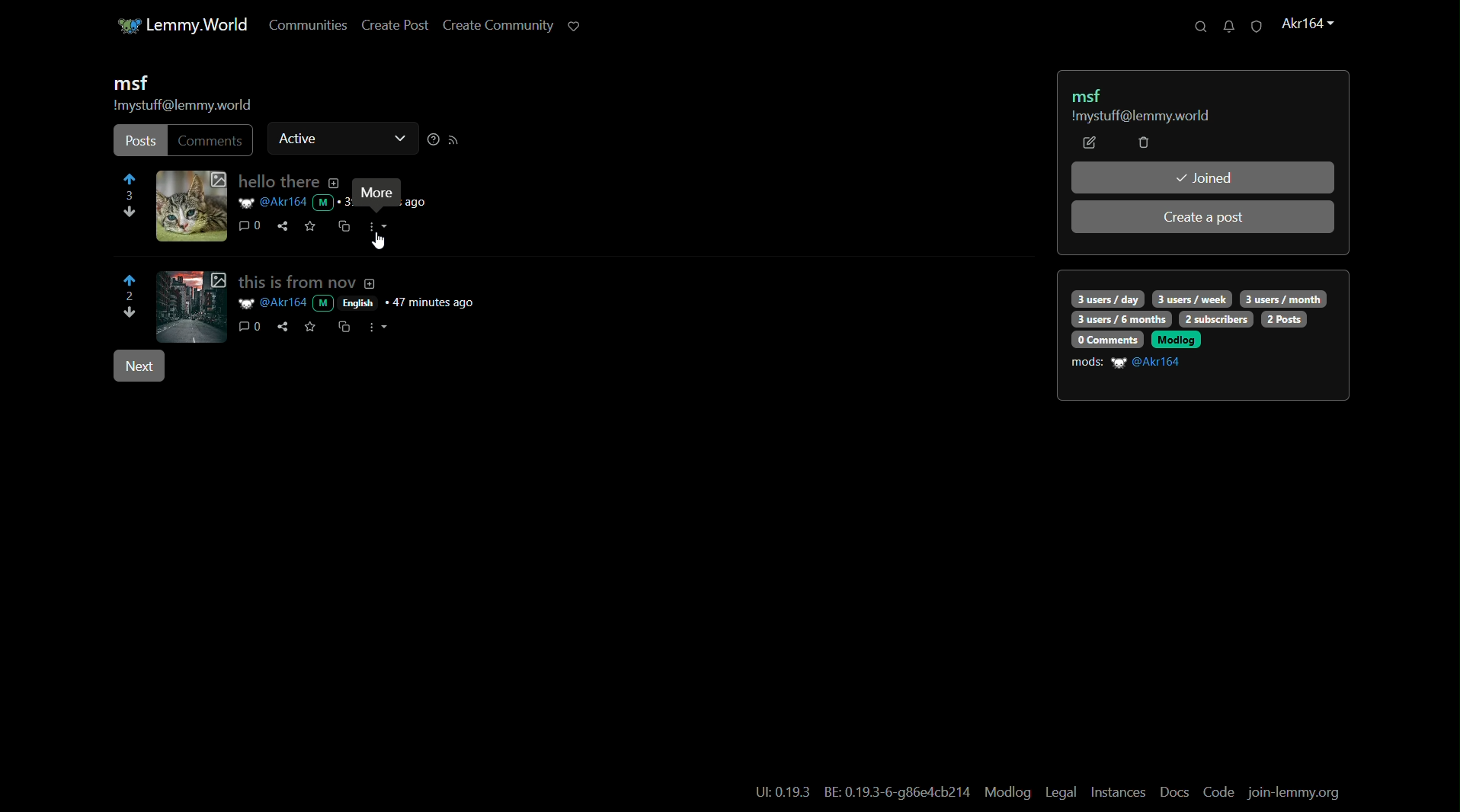 The height and width of the screenshot is (812, 1460). I want to click on joined, so click(1203, 177).